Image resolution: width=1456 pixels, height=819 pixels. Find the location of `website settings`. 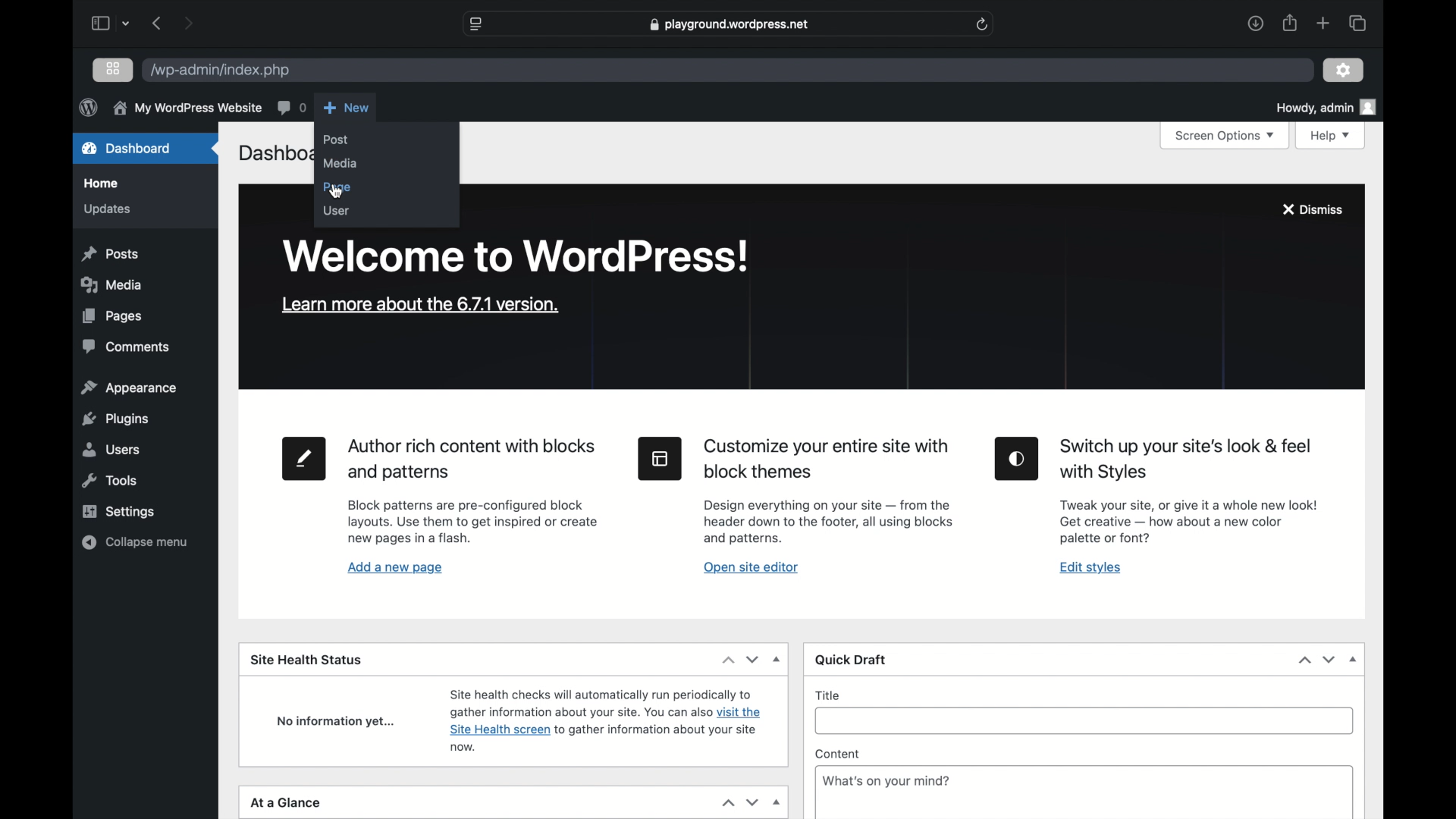

website settings is located at coordinates (476, 24).